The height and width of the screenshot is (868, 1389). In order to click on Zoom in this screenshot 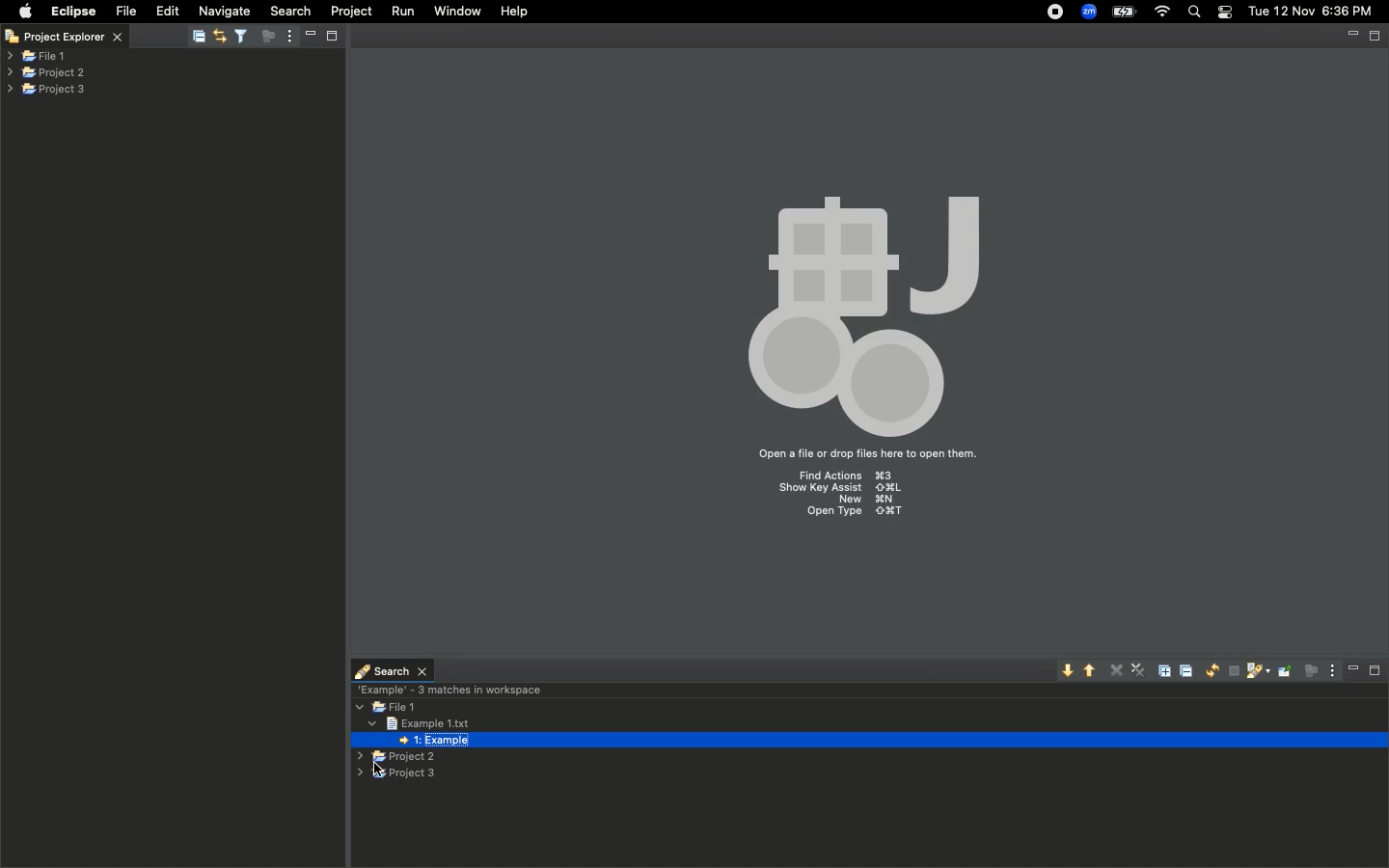, I will do `click(1090, 12)`.